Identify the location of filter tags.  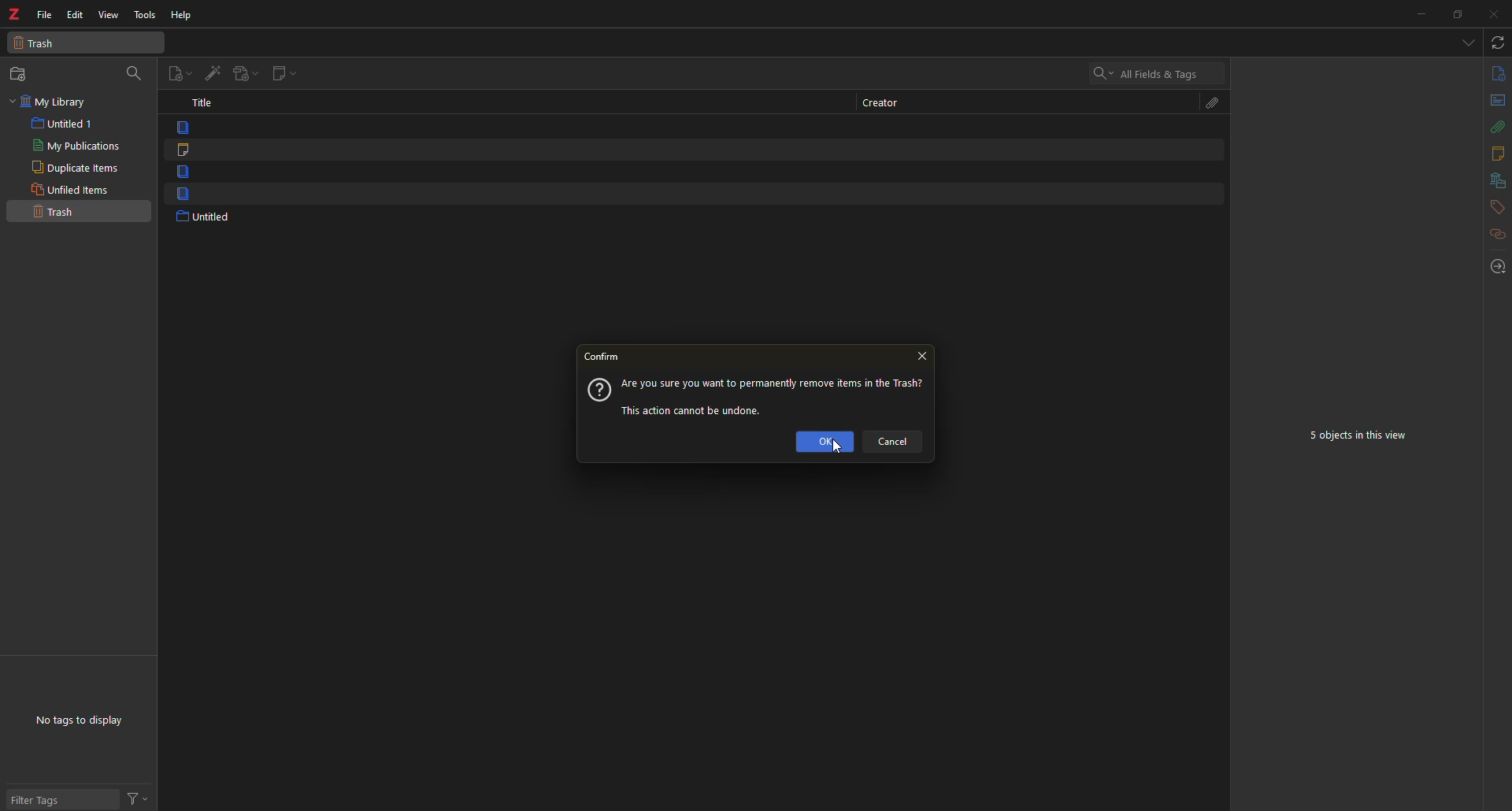
(47, 798).